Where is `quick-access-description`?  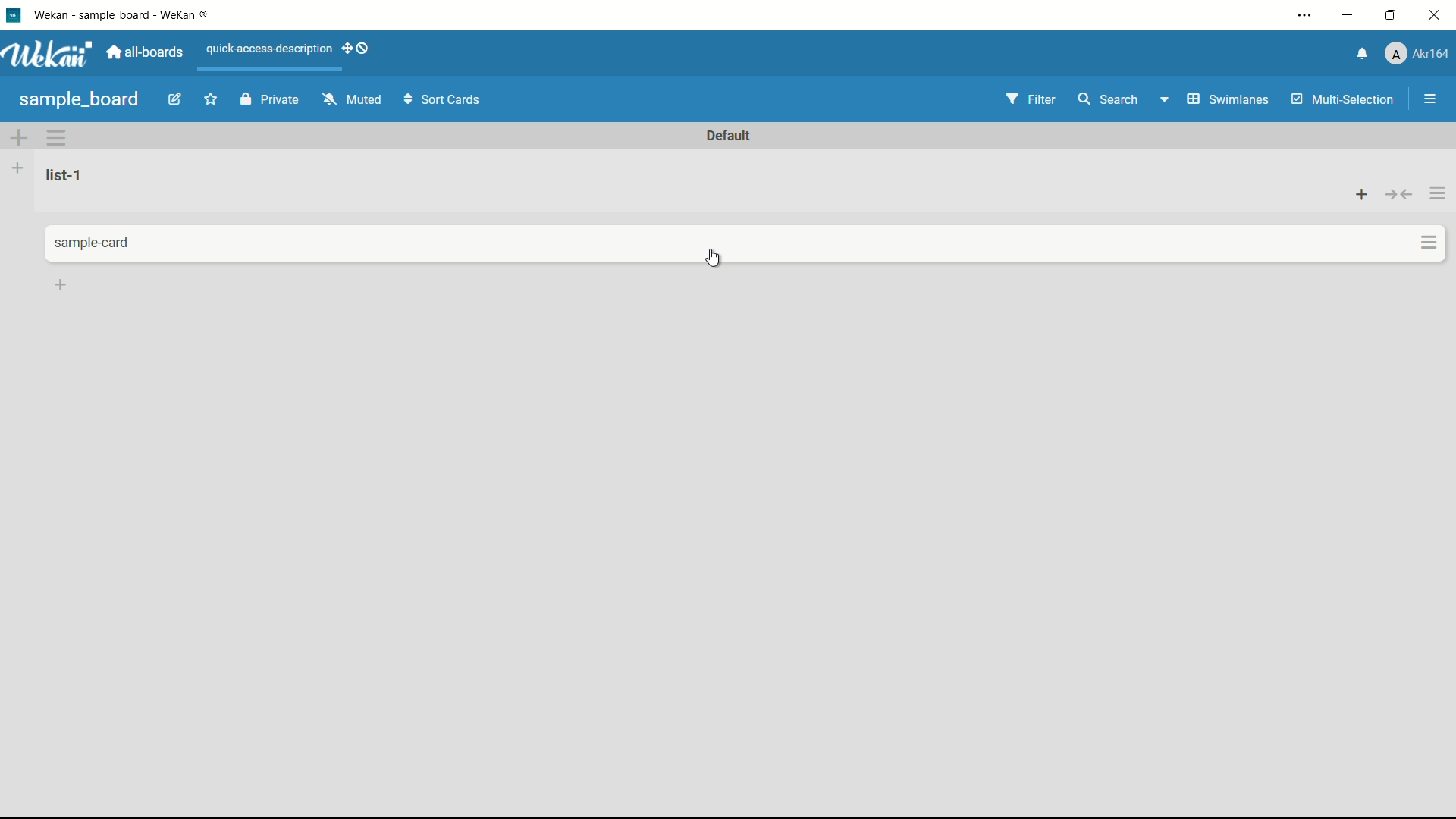
quick-access-description is located at coordinates (270, 49).